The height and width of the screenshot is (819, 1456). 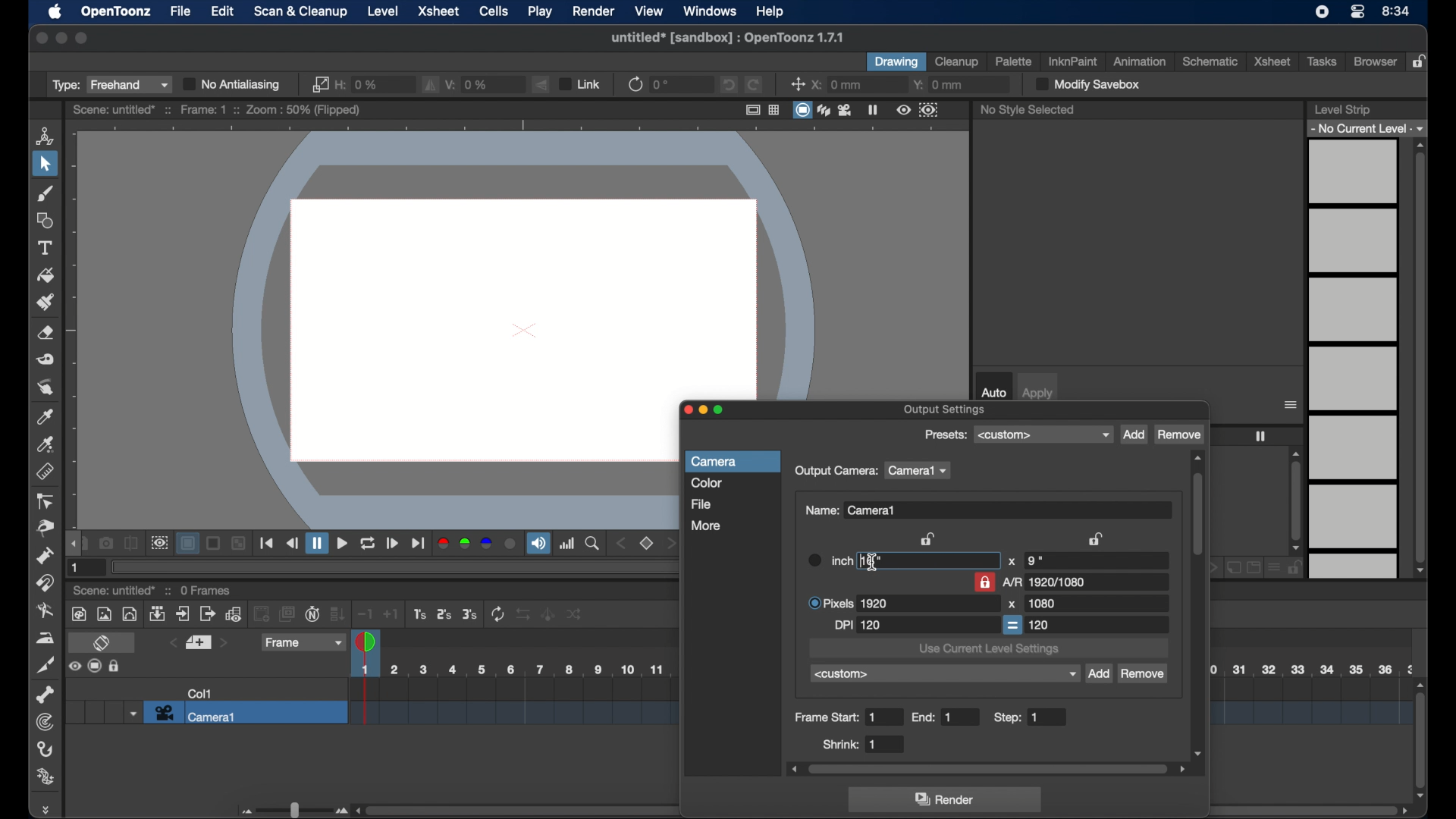 What do you see at coordinates (703, 411) in the screenshot?
I see `minimize` at bounding box center [703, 411].